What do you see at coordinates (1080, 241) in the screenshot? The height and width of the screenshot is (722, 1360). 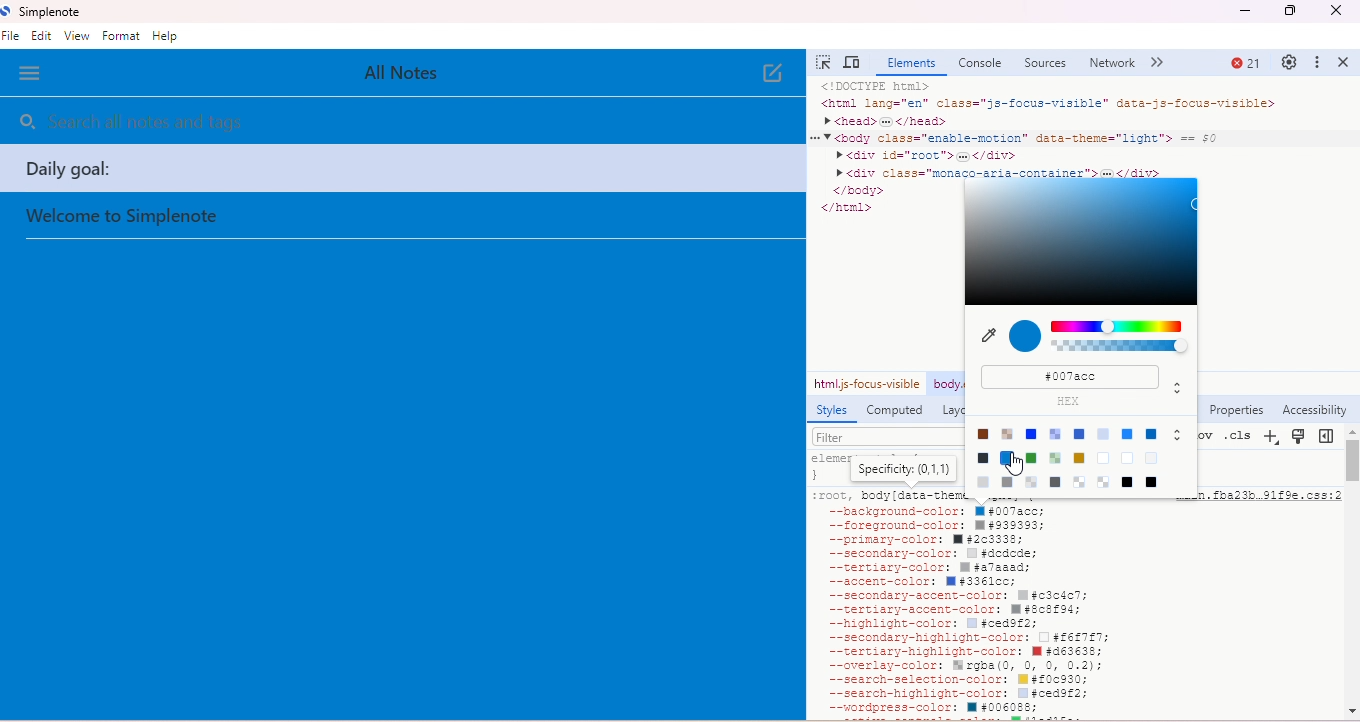 I see `select color` at bounding box center [1080, 241].